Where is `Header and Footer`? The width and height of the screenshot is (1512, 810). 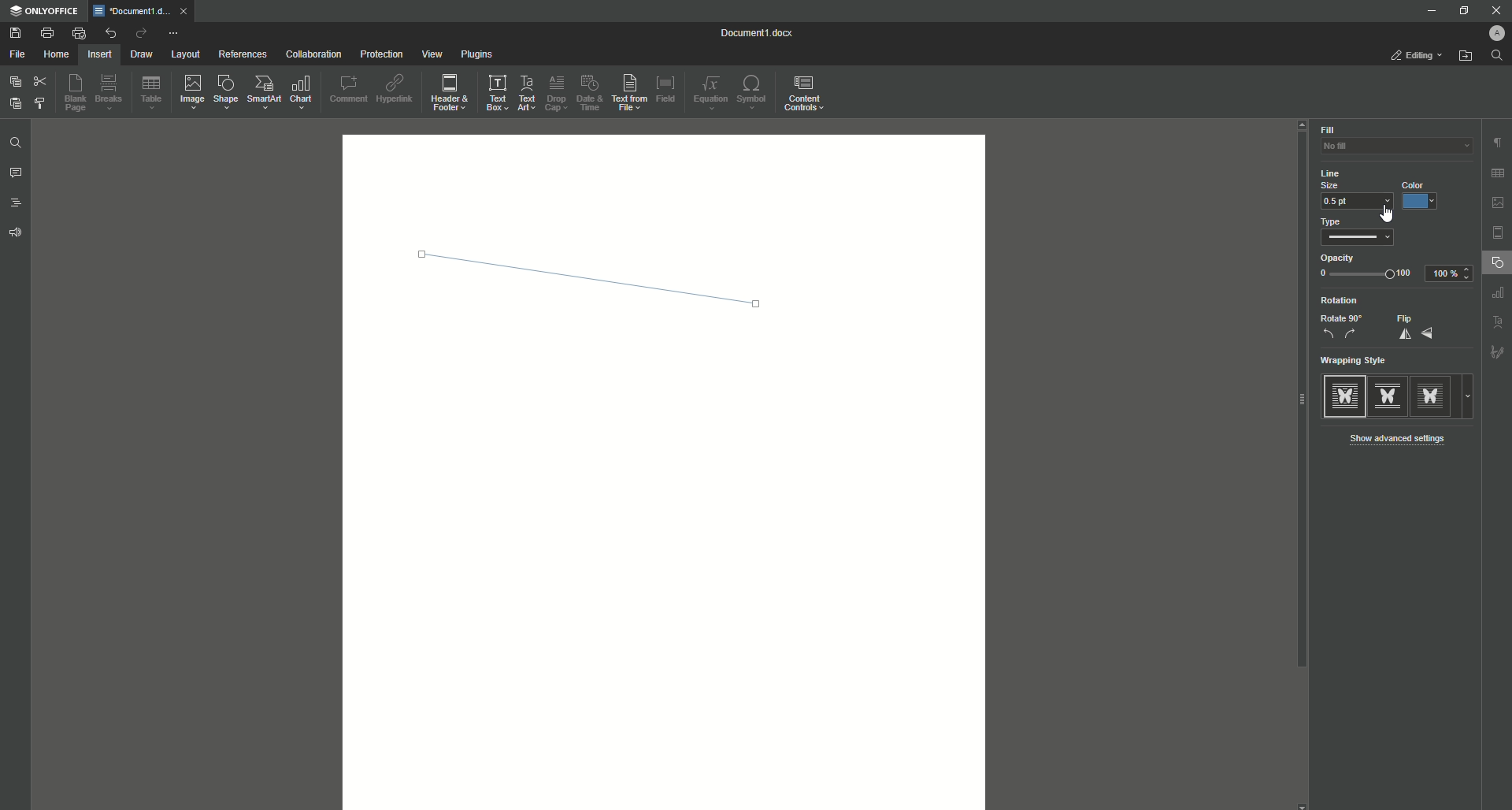
Header and Footer is located at coordinates (451, 94).